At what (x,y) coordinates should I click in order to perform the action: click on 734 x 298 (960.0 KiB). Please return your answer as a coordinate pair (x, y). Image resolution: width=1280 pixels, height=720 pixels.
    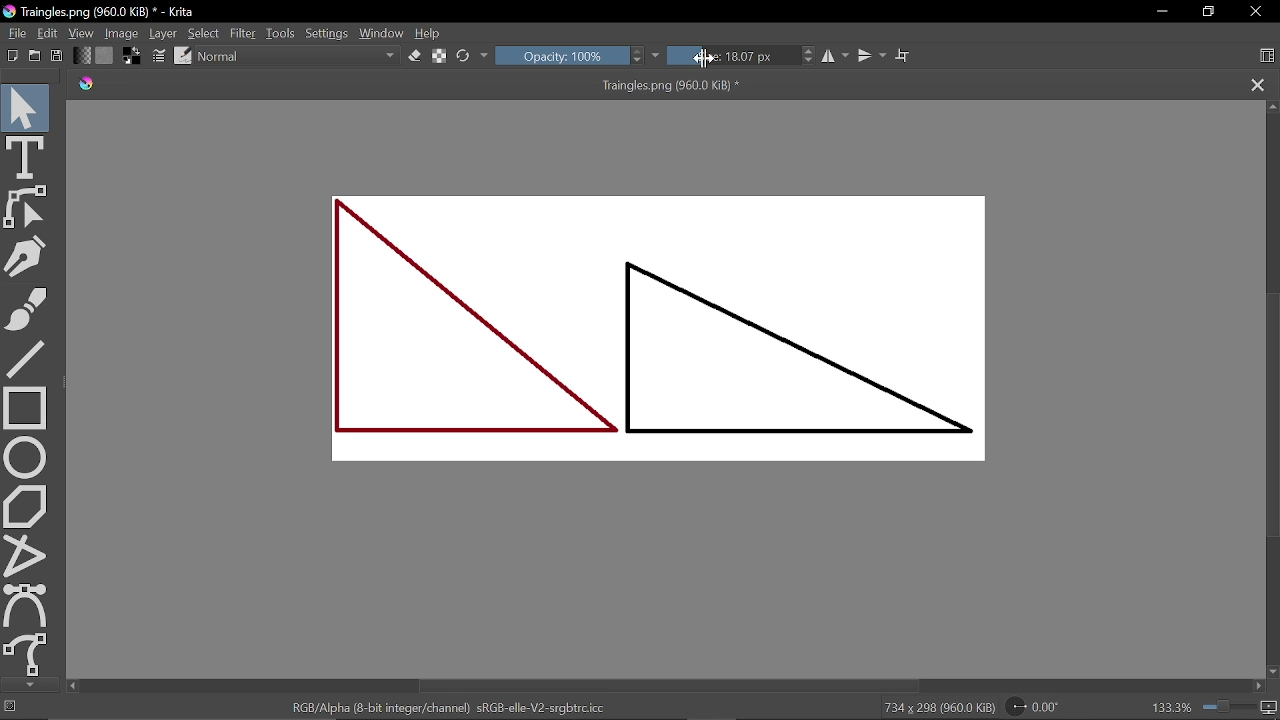
    Looking at the image, I should click on (935, 706).